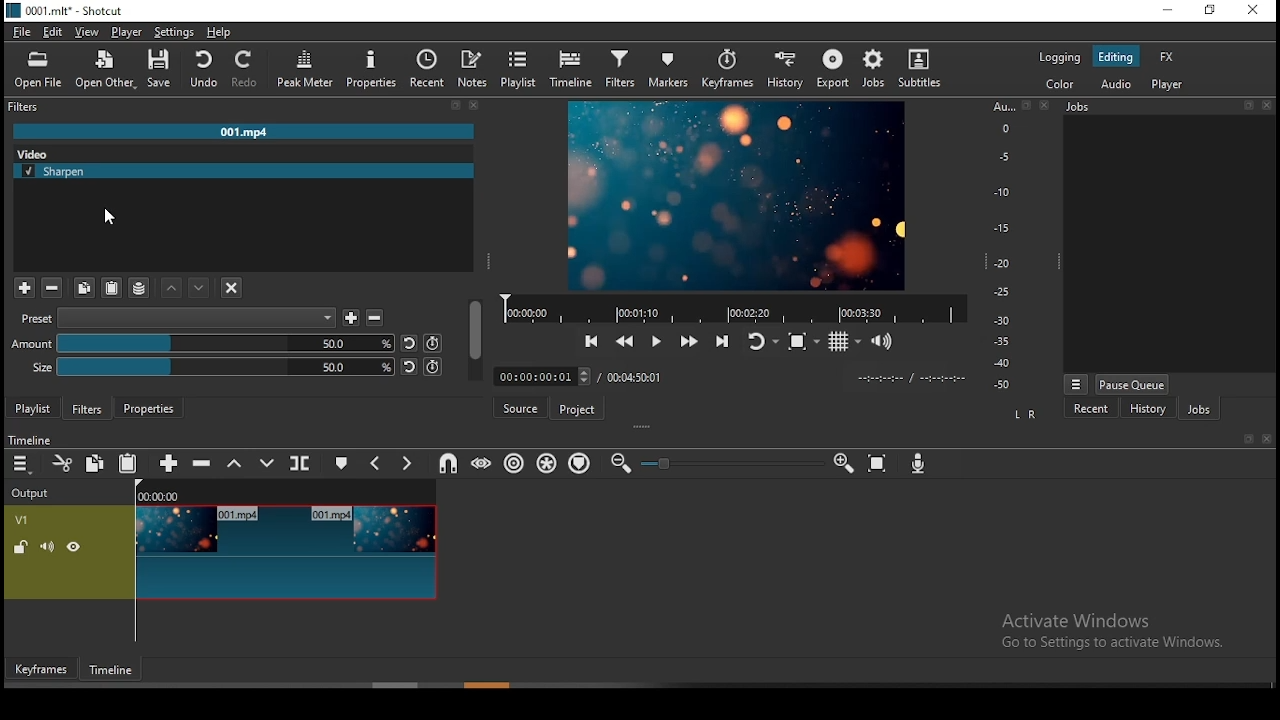 The image size is (1280, 720). Describe the element at coordinates (85, 288) in the screenshot. I see `copy filter` at that location.